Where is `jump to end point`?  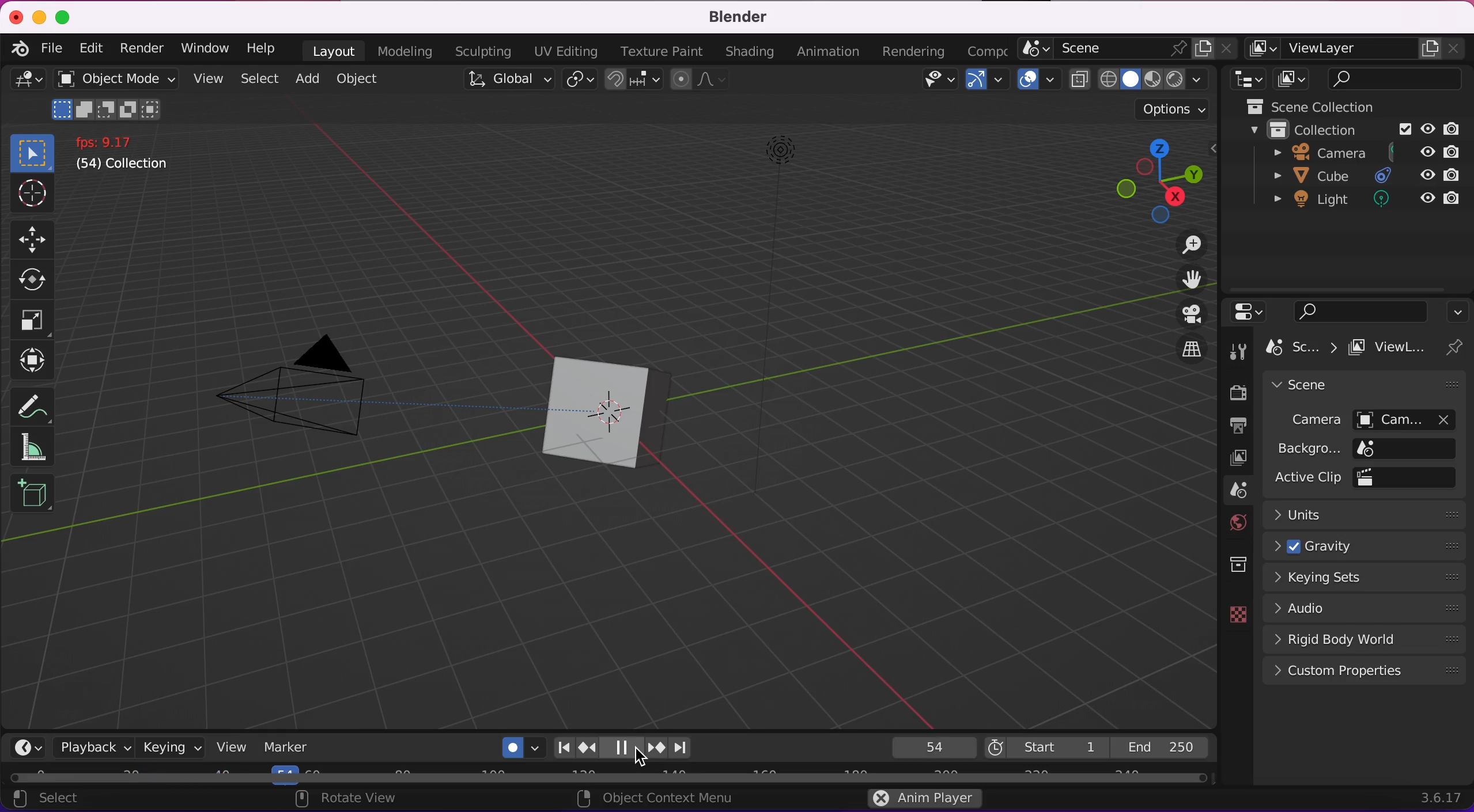 jump to end point is located at coordinates (560, 747).